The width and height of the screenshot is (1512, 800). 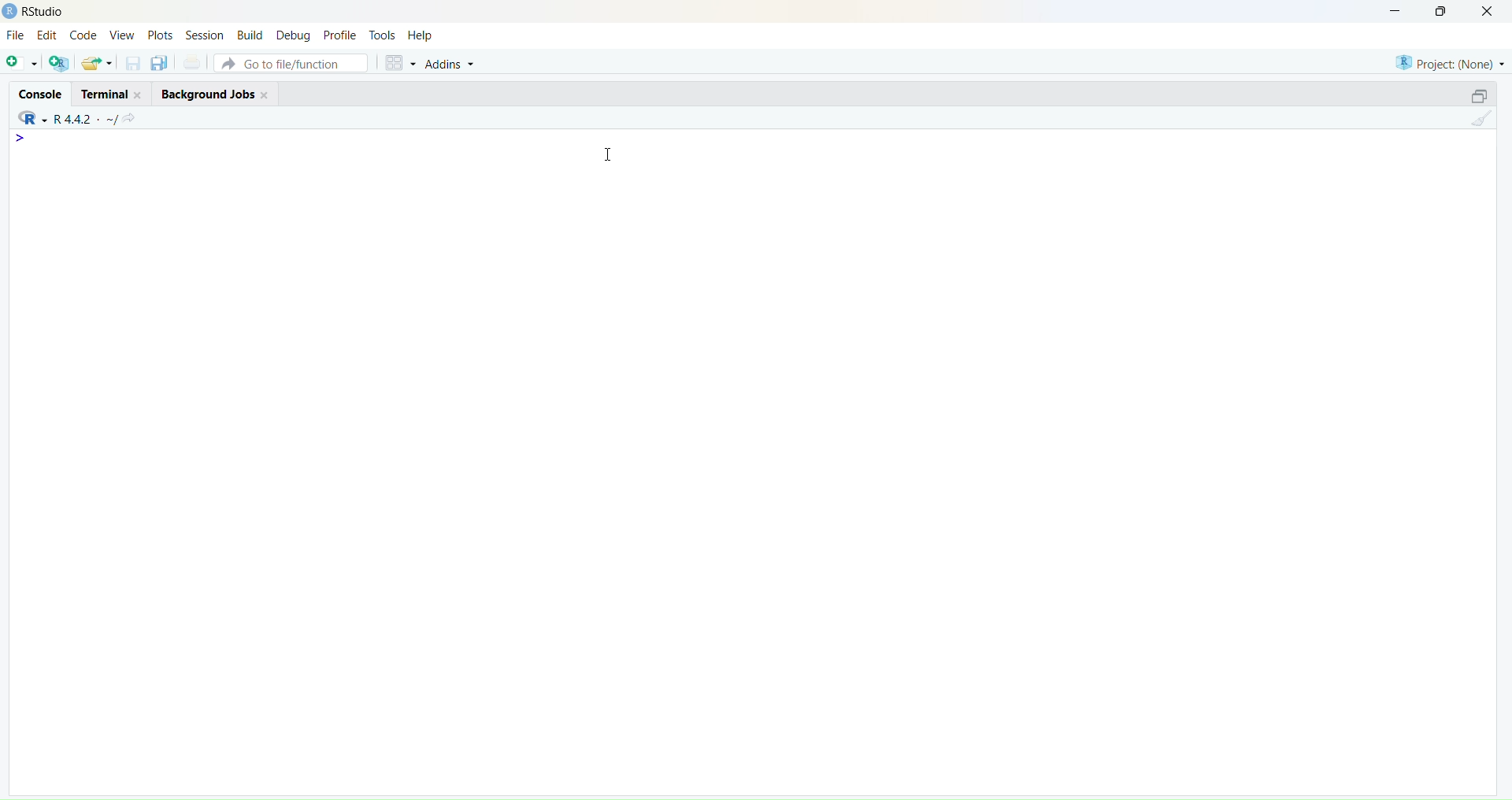 What do you see at coordinates (397, 65) in the screenshot?
I see `grid view` at bounding box center [397, 65].